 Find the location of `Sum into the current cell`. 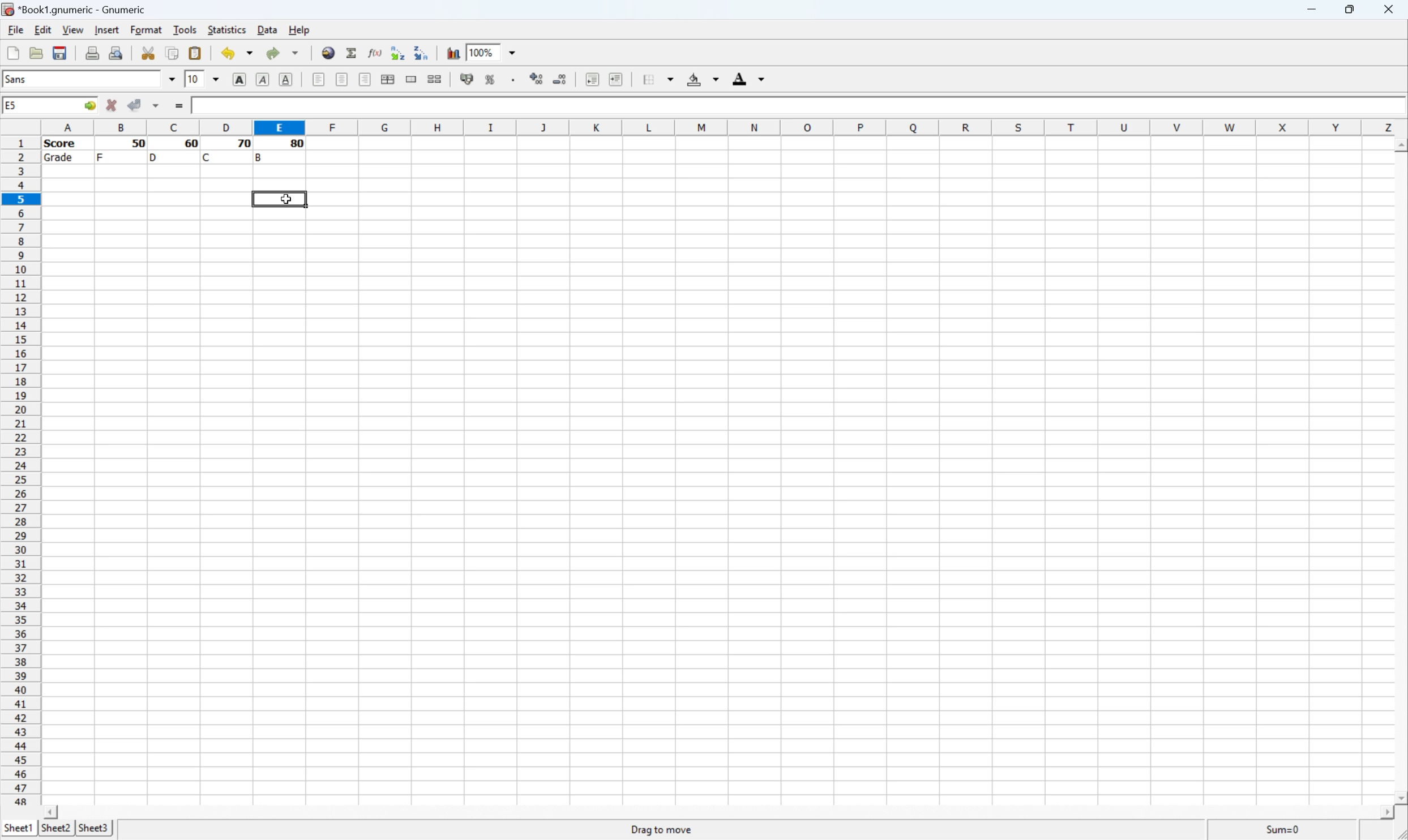

Sum into the current cell is located at coordinates (352, 54).